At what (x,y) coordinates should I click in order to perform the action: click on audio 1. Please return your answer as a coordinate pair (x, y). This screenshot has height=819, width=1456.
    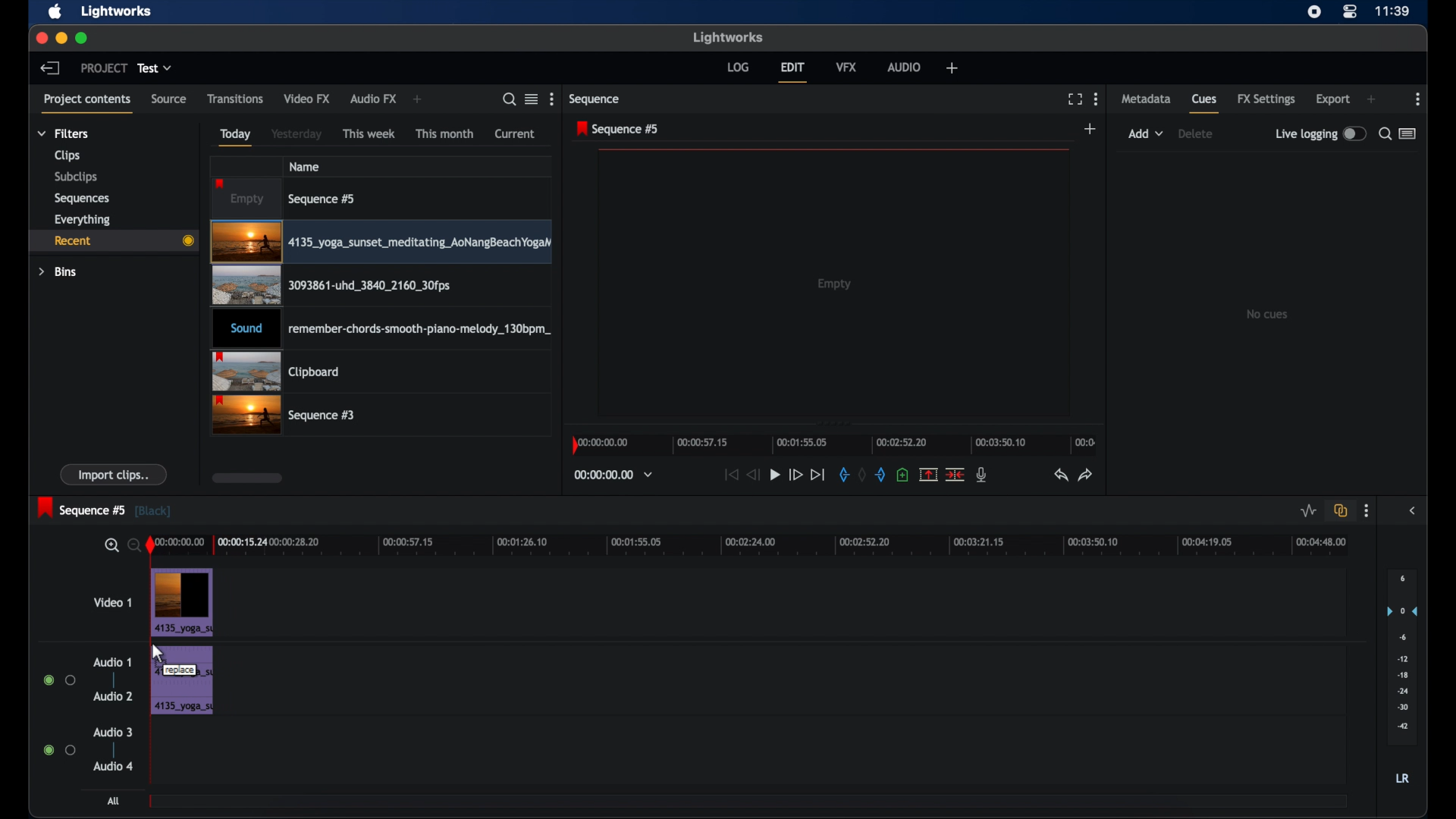
    Looking at the image, I should click on (113, 662).